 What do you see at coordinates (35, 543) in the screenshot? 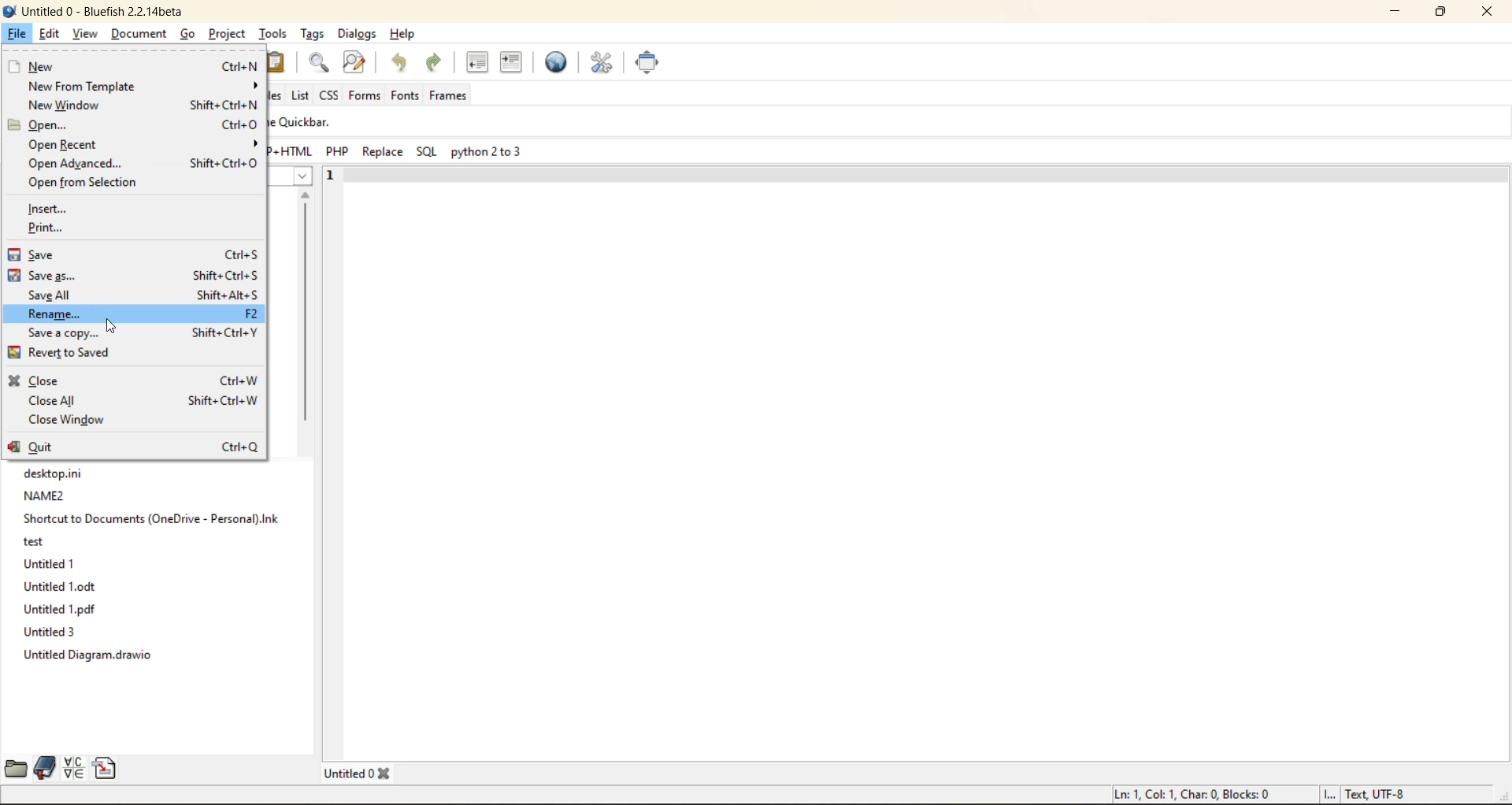
I see `test` at bounding box center [35, 543].